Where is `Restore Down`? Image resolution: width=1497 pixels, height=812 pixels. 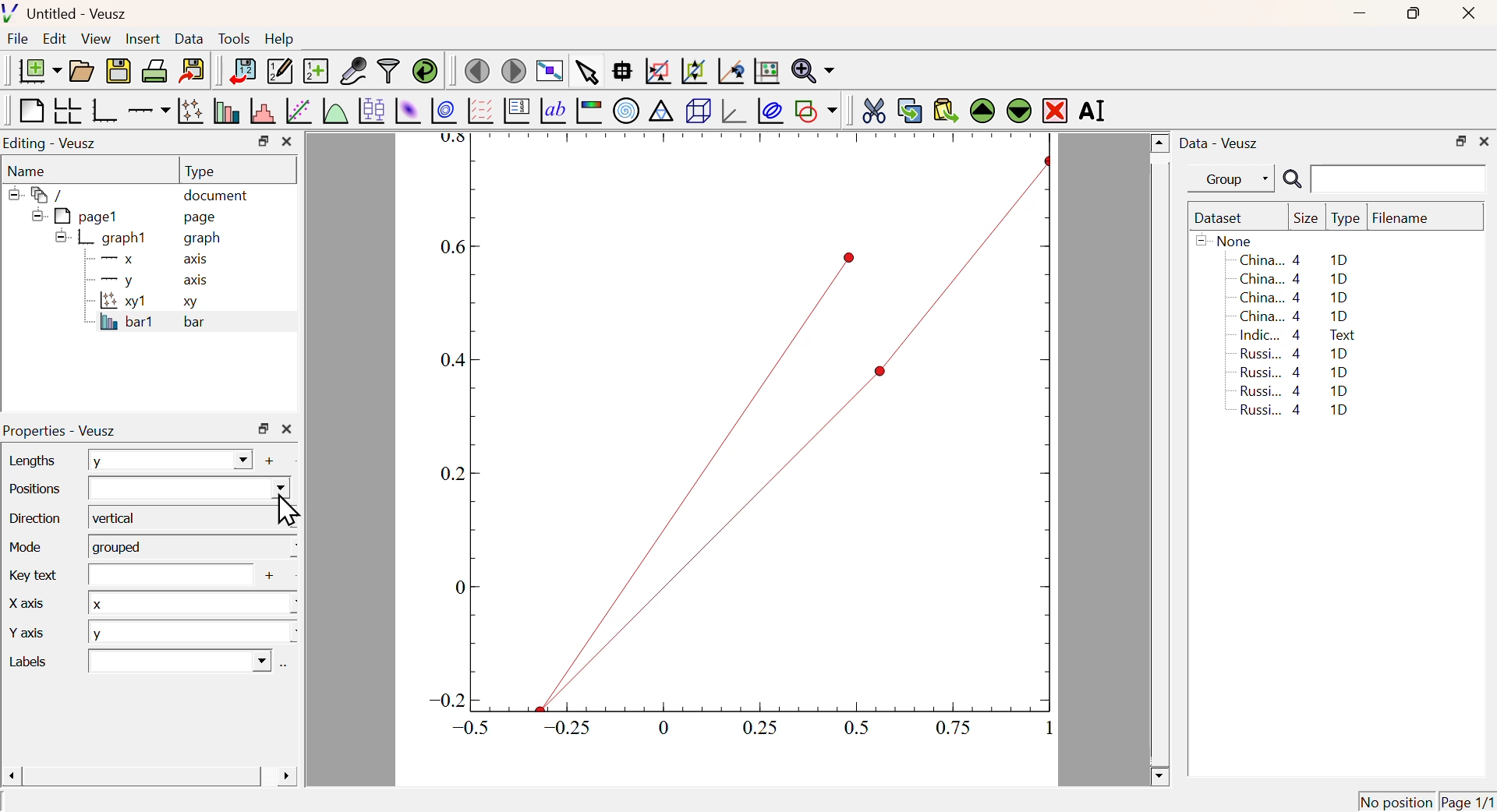
Restore Down is located at coordinates (1460, 142).